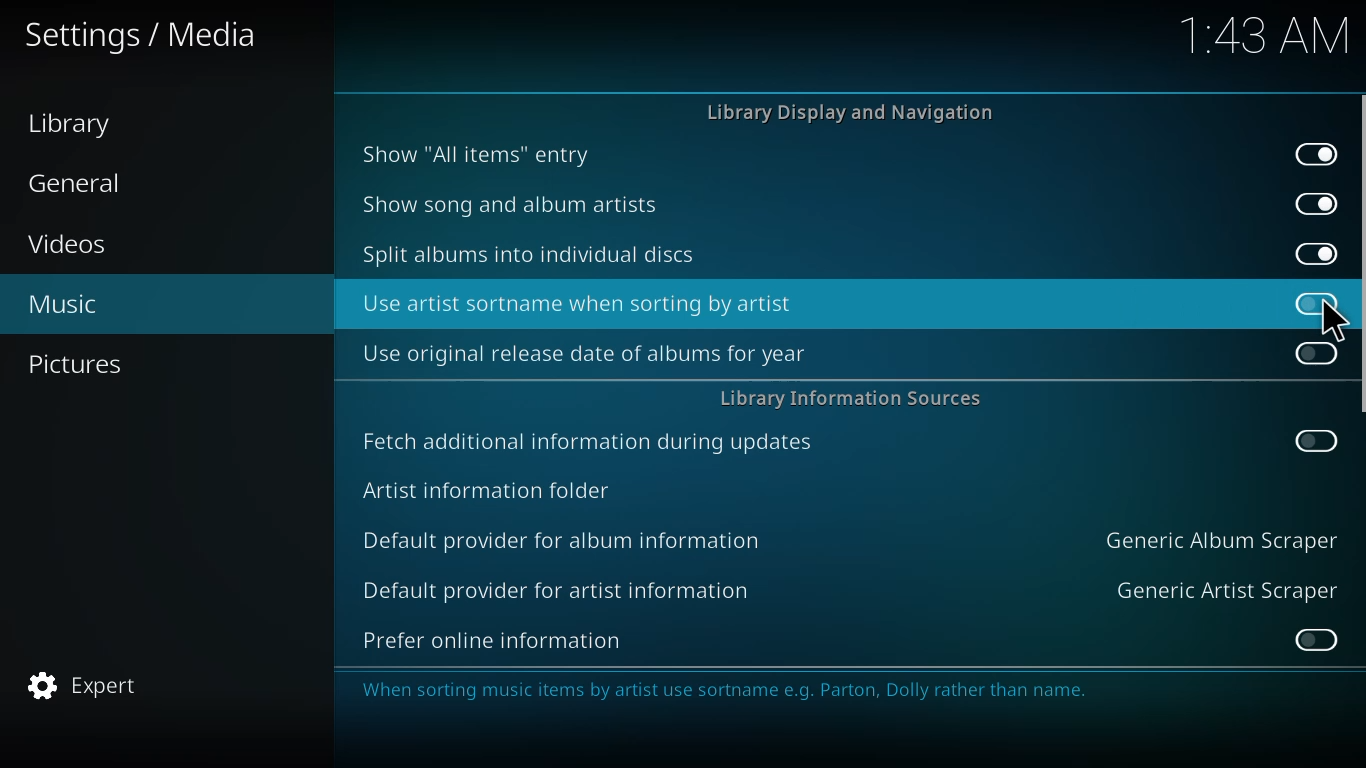 The width and height of the screenshot is (1366, 768). What do you see at coordinates (512, 204) in the screenshot?
I see `show song and album artists` at bounding box center [512, 204].